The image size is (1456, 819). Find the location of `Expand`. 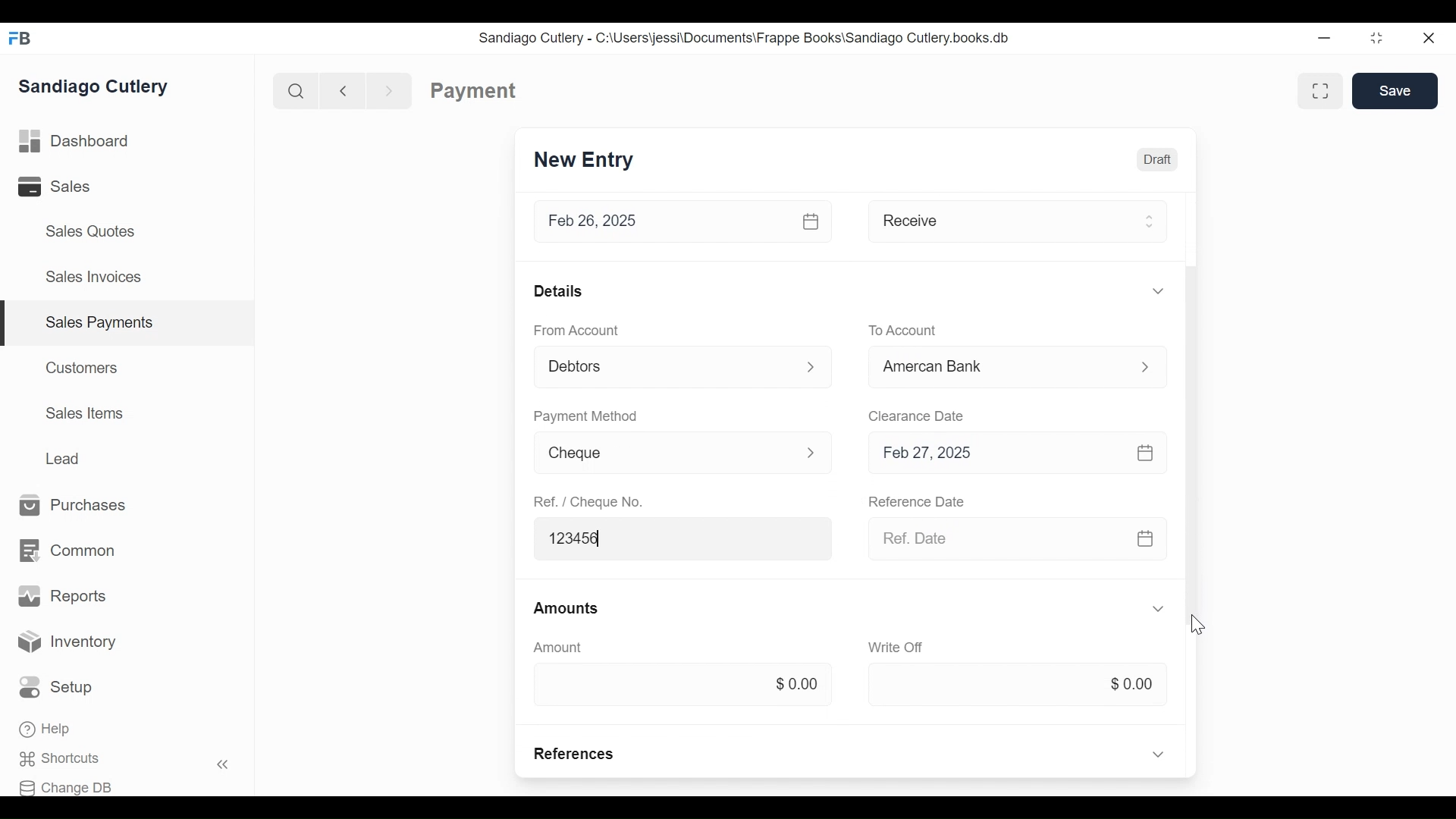

Expand is located at coordinates (812, 368).